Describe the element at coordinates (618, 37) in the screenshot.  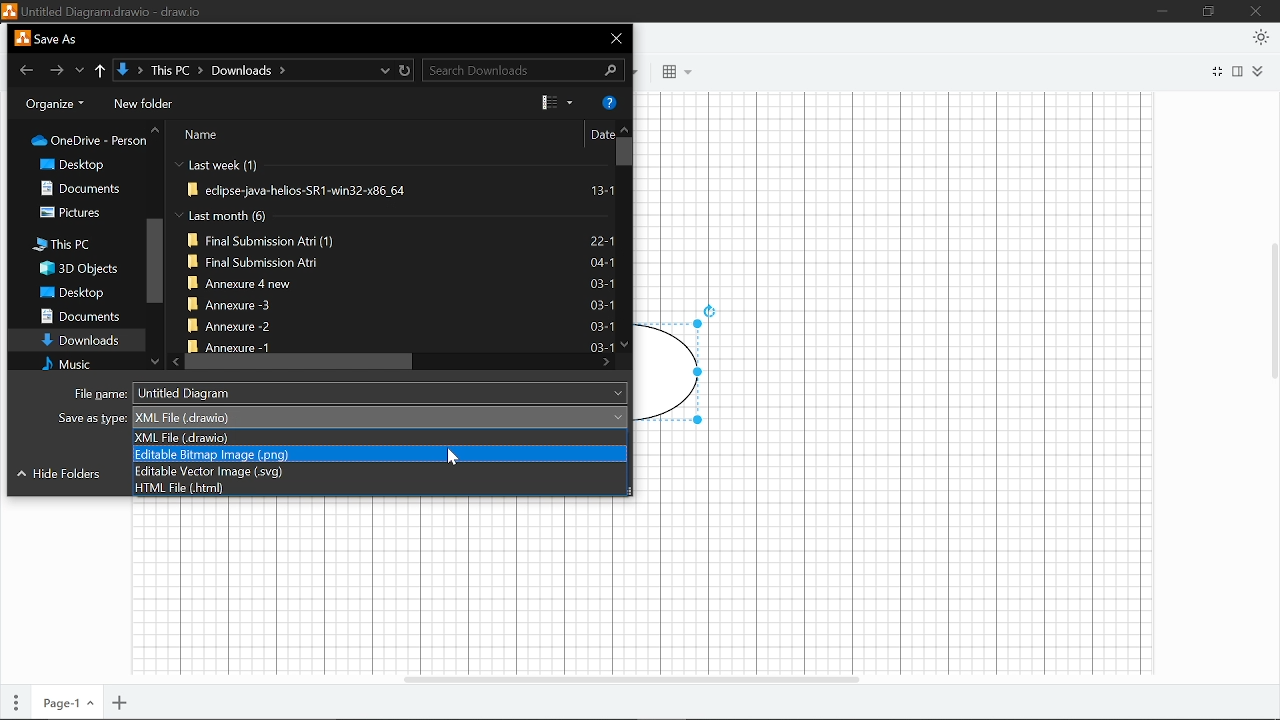
I see `close` at that location.